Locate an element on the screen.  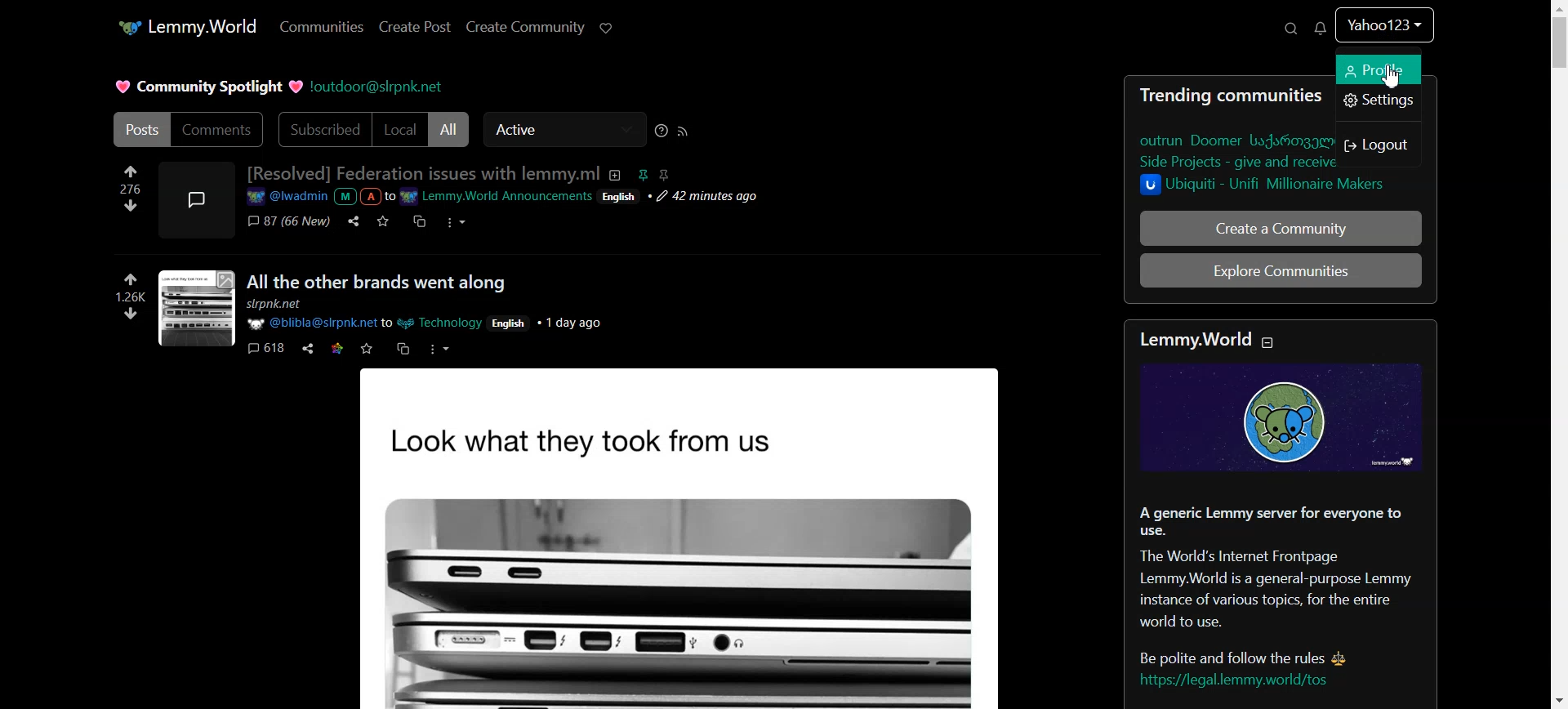
Profile is located at coordinates (1384, 32).